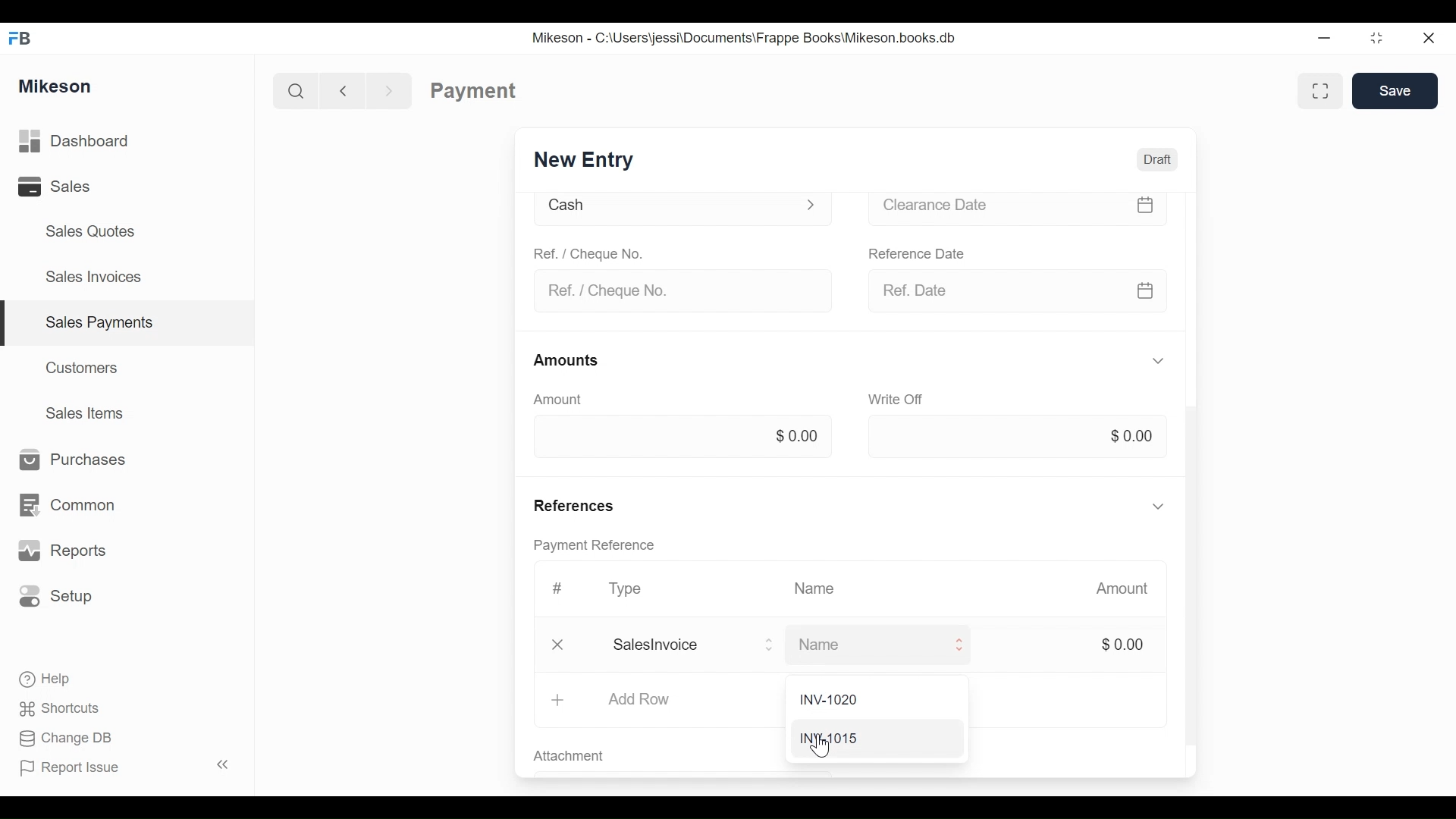 The width and height of the screenshot is (1456, 819). Describe the element at coordinates (1159, 159) in the screenshot. I see `Draft` at that location.